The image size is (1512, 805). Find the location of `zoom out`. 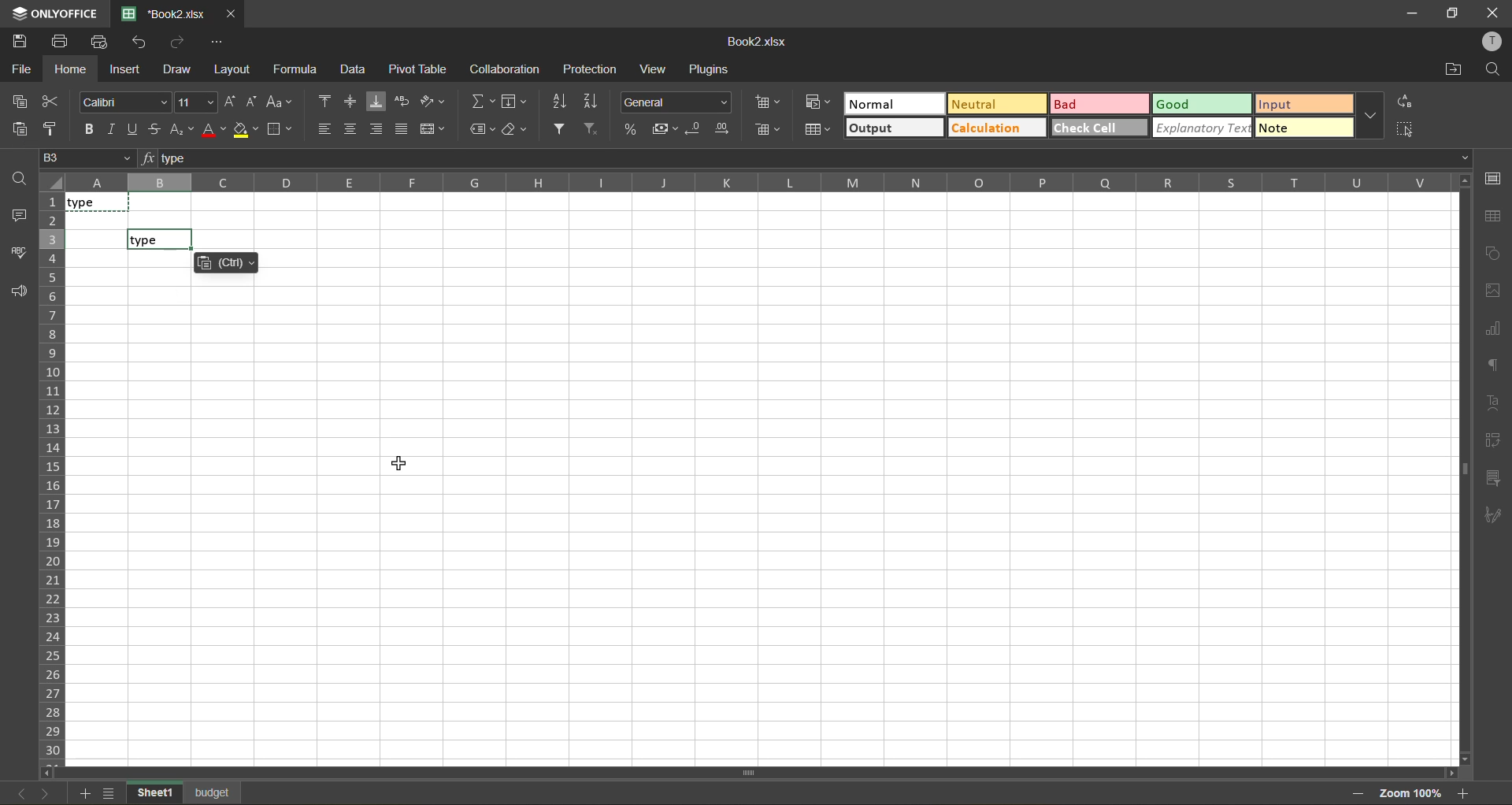

zoom out is located at coordinates (1358, 795).